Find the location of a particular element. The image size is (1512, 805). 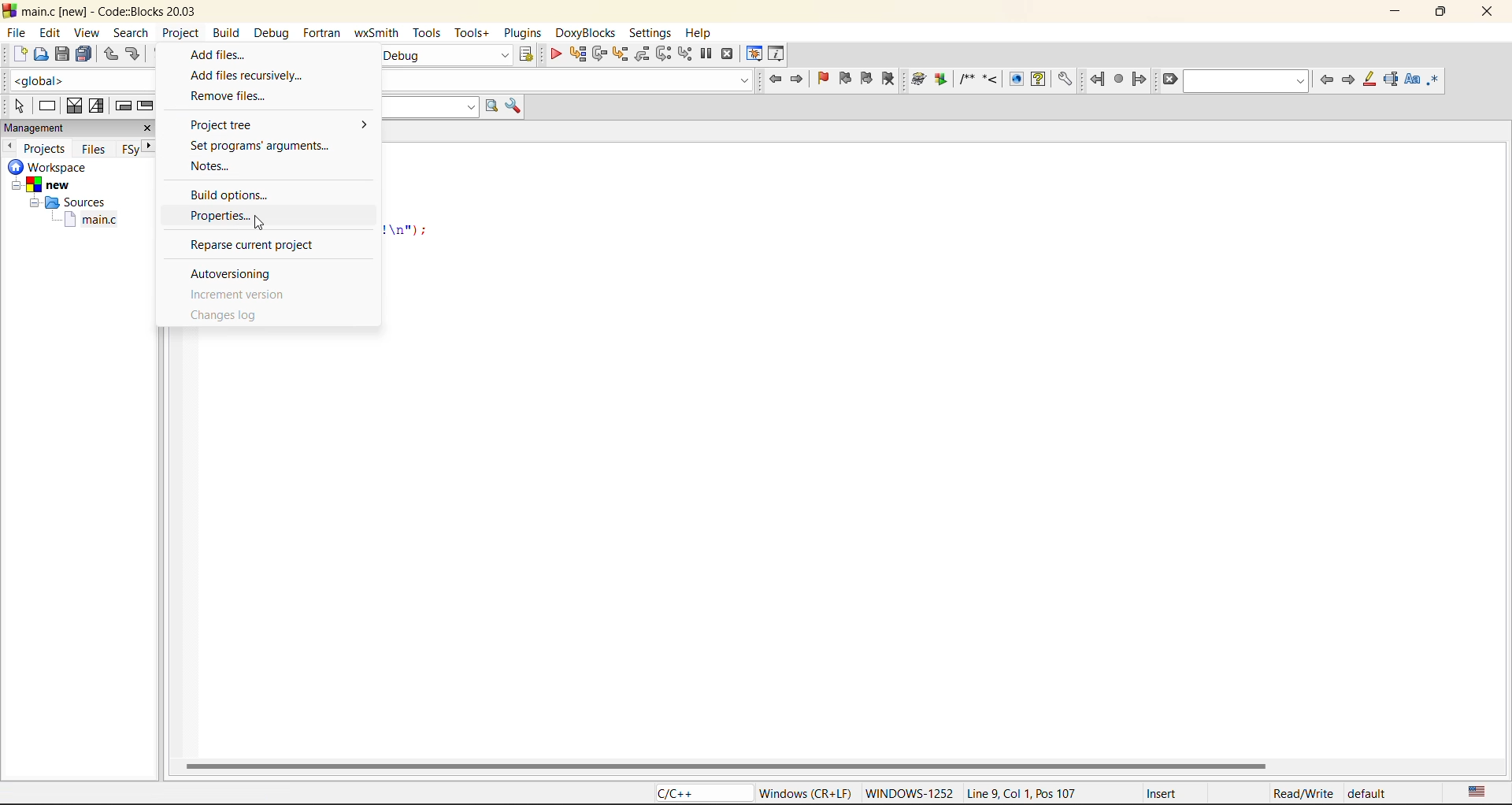

set programs arguments is located at coordinates (265, 146).